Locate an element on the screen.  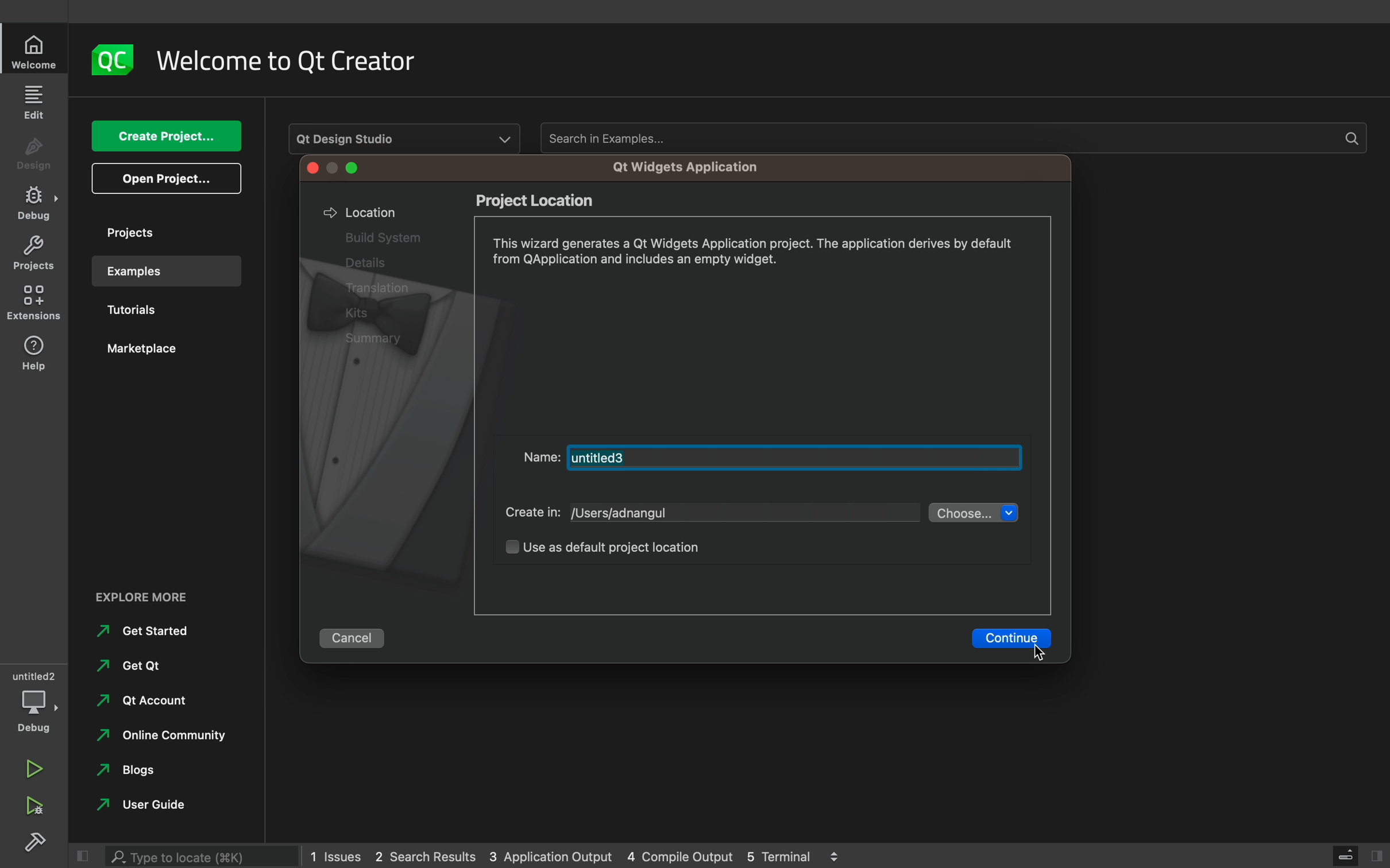
destination is located at coordinates (742, 516).